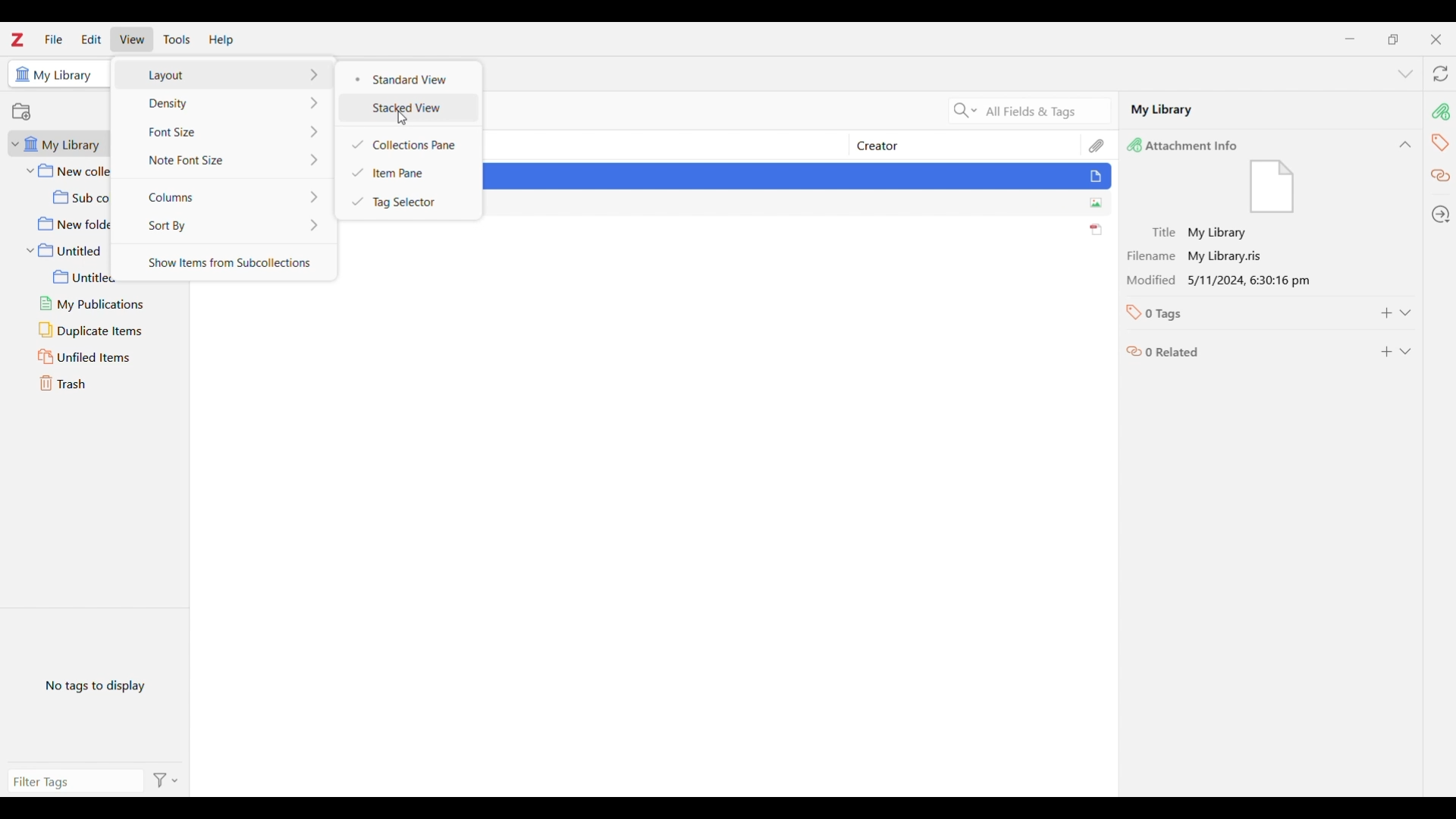 Image resolution: width=1456 pixels, height=819 pixels. Describe the element at coordinates (1386, 313) in the screenshot. I see `Add to tags` at that location.